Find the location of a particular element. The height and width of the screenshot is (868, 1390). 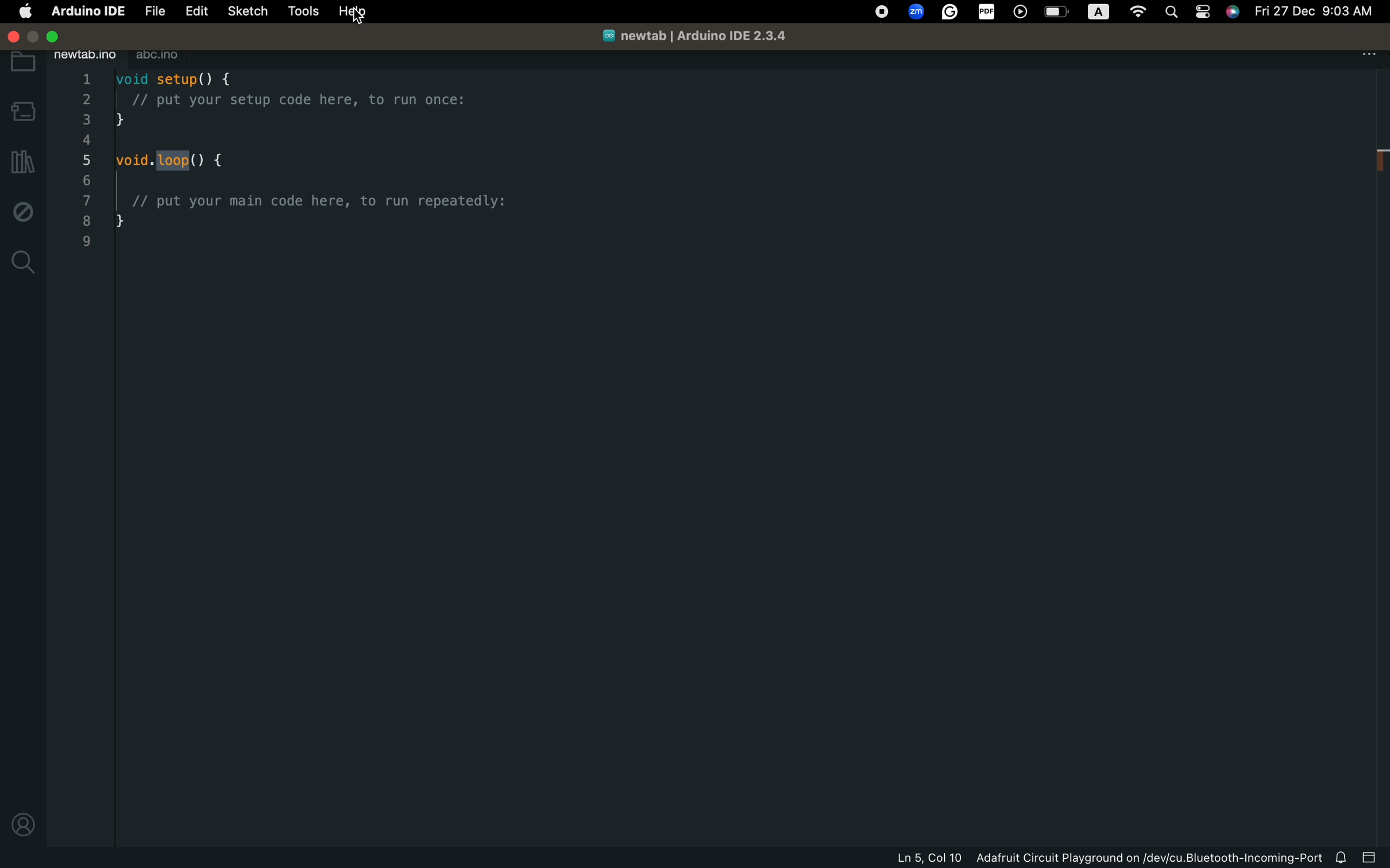

Wifi is located at coordinates (1138, 12).